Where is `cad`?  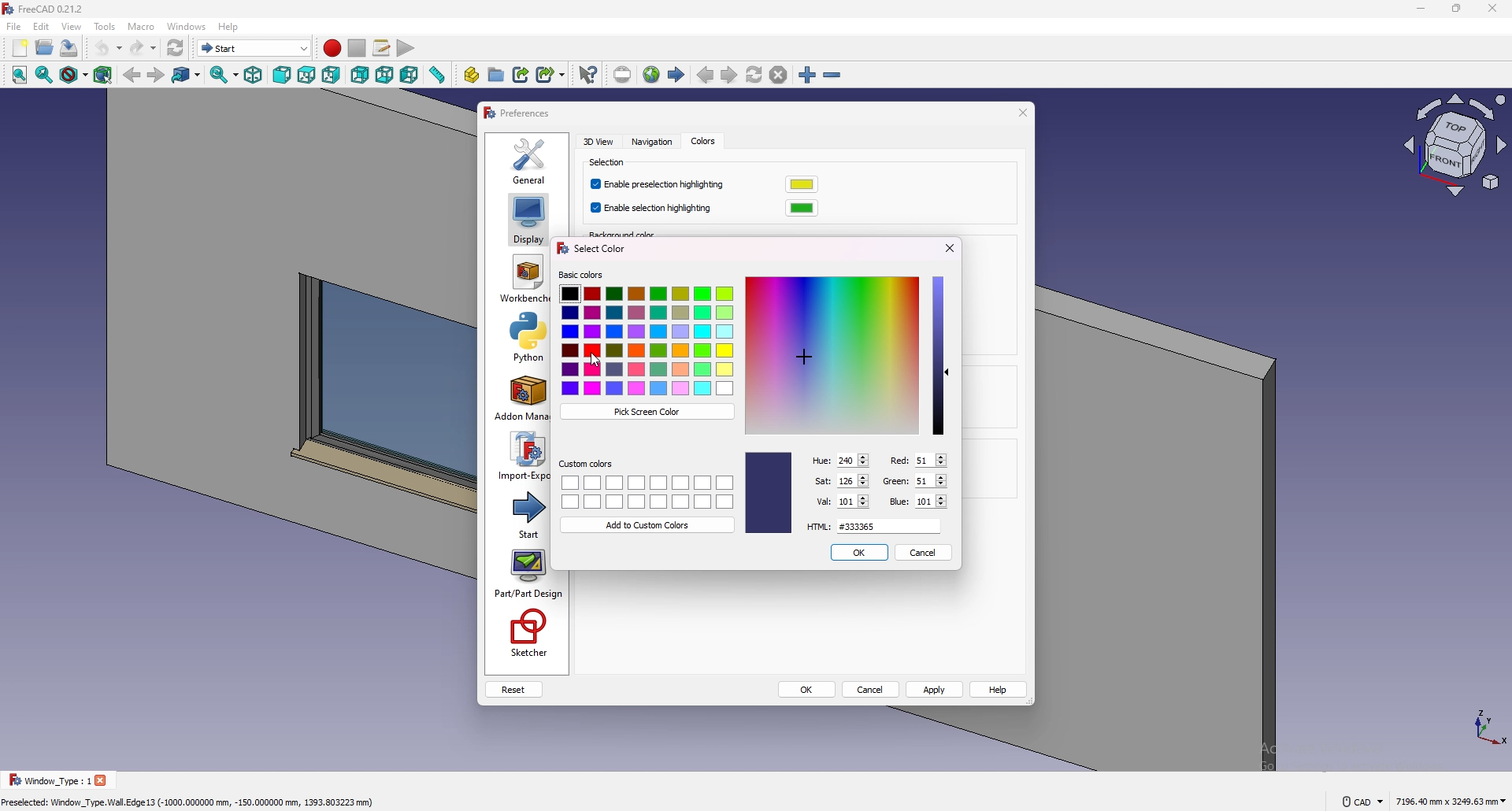 cad is located at coordinates (1362, 800).